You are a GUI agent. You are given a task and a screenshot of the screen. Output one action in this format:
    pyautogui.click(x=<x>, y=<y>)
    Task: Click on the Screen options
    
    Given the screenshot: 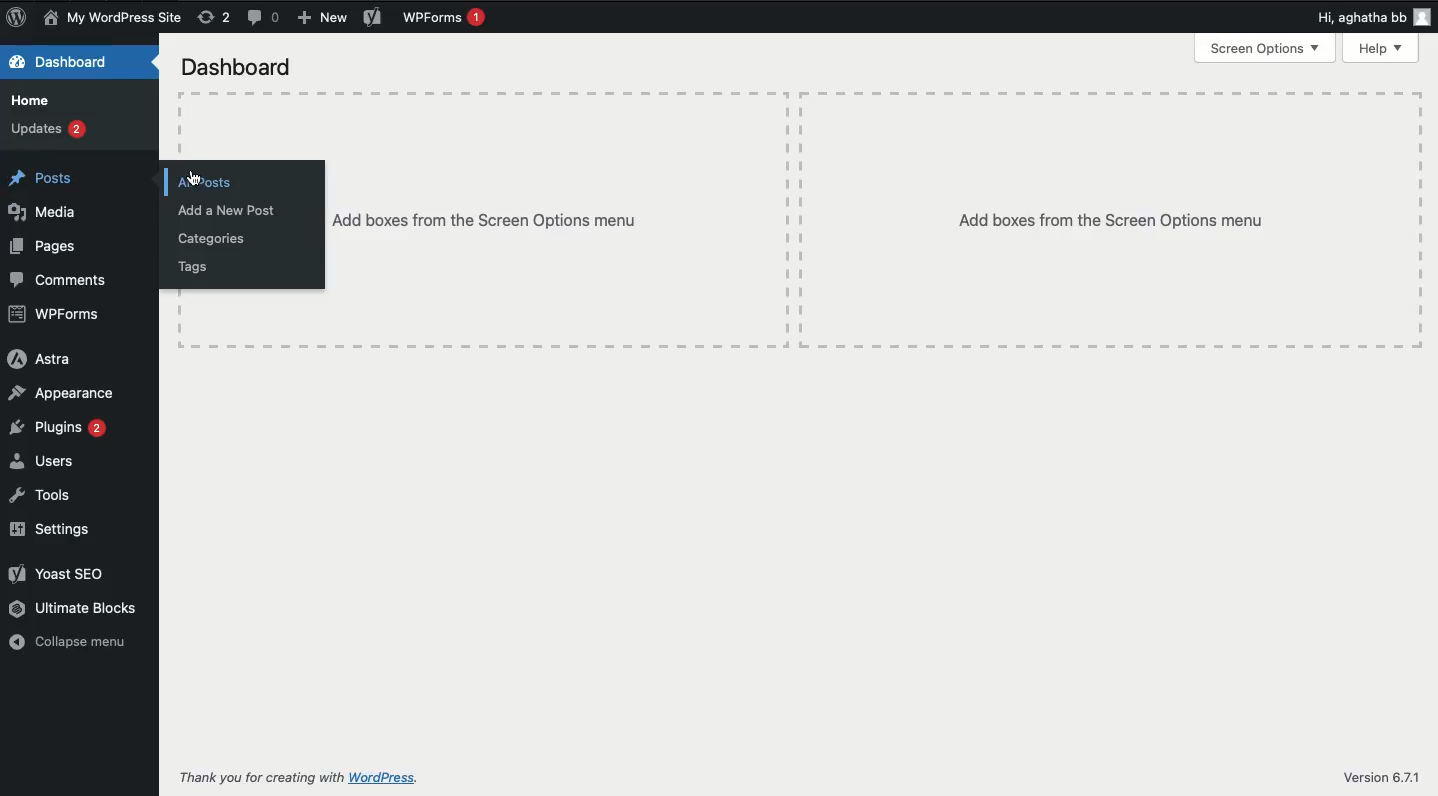 What is the action you would take?
    pyautogui.click(x=1264, y=49)
    